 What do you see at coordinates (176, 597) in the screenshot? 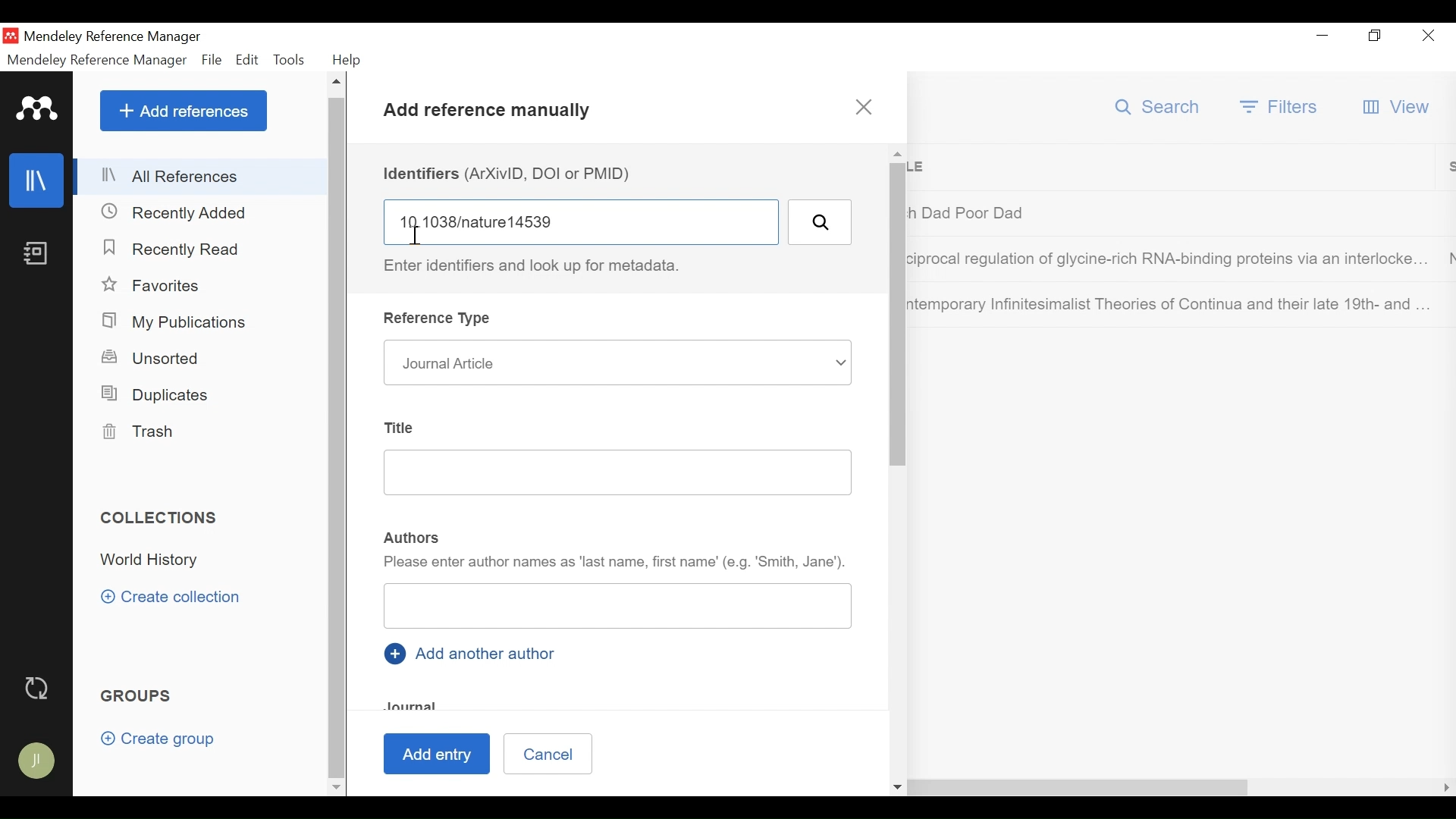
I see `Create Collection` at bounding box center [176, 597].